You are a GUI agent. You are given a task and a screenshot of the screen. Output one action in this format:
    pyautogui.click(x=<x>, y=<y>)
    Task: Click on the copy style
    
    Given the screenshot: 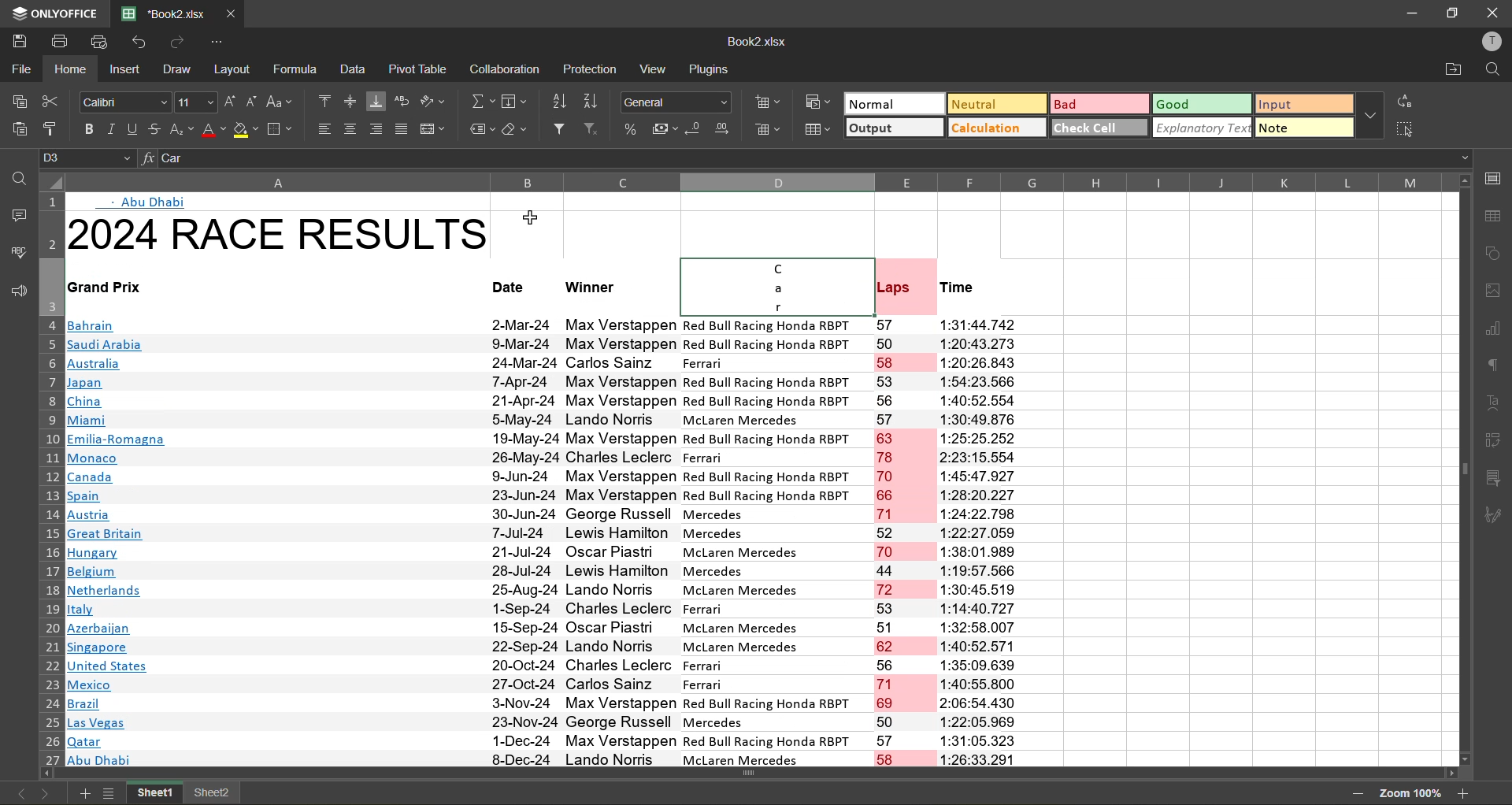 What is the action you would take?
    pyautogui.click(x=55, y=128)
    